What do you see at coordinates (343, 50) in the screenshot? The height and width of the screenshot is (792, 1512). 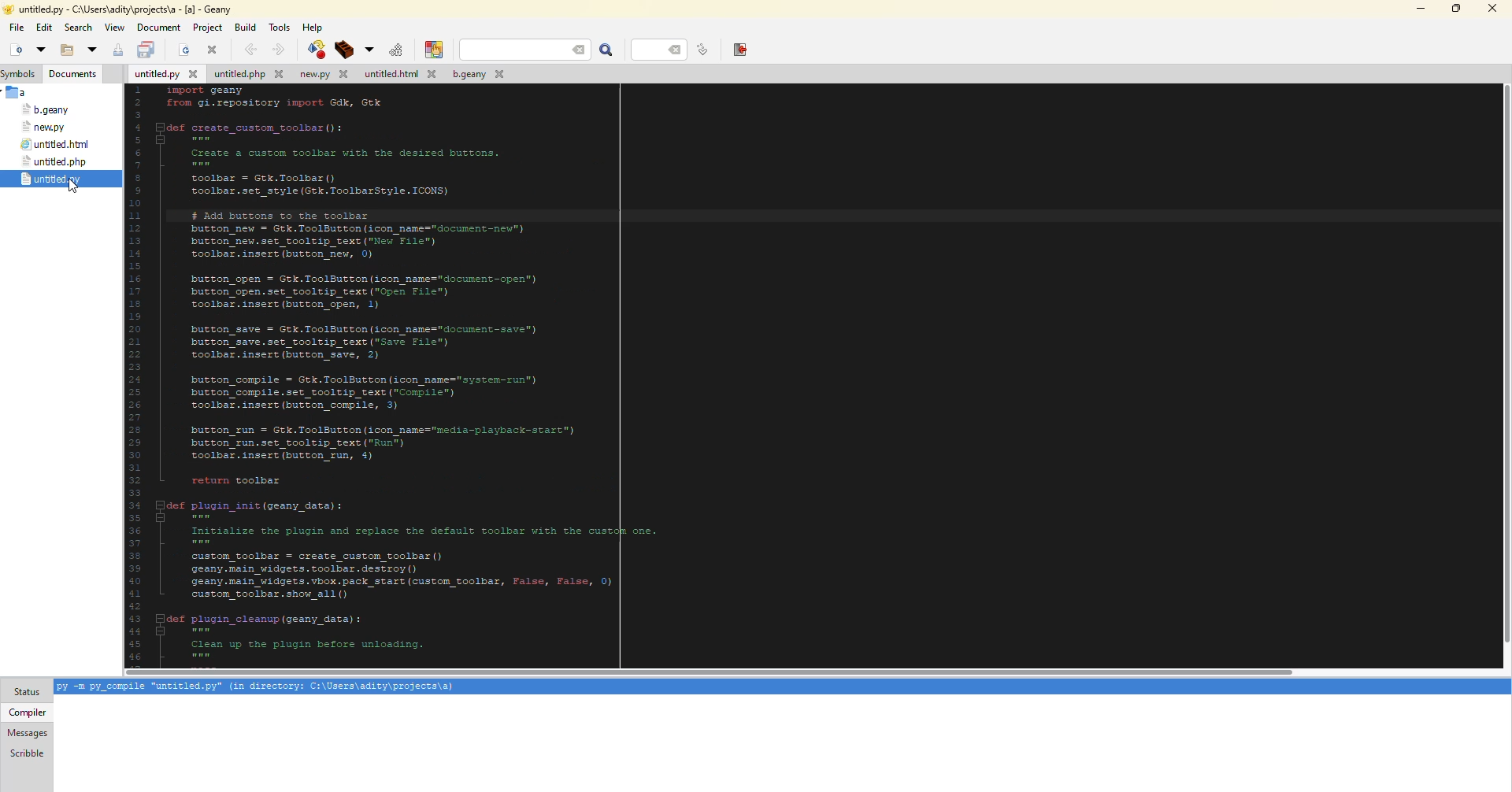 I see `compile` at bounding box center [343, 50].